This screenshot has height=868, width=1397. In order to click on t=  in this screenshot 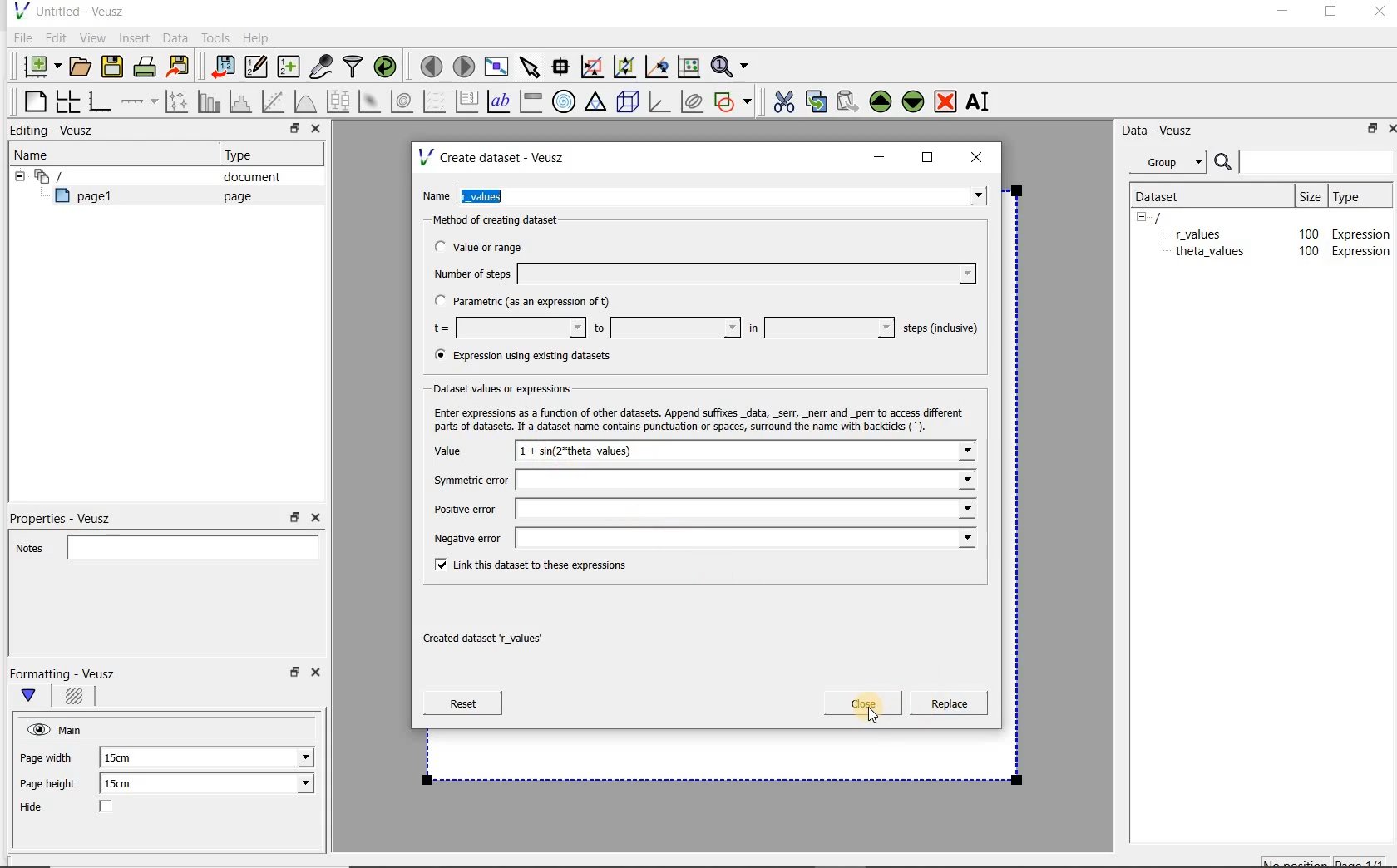, I will do `click(506, 328)`.